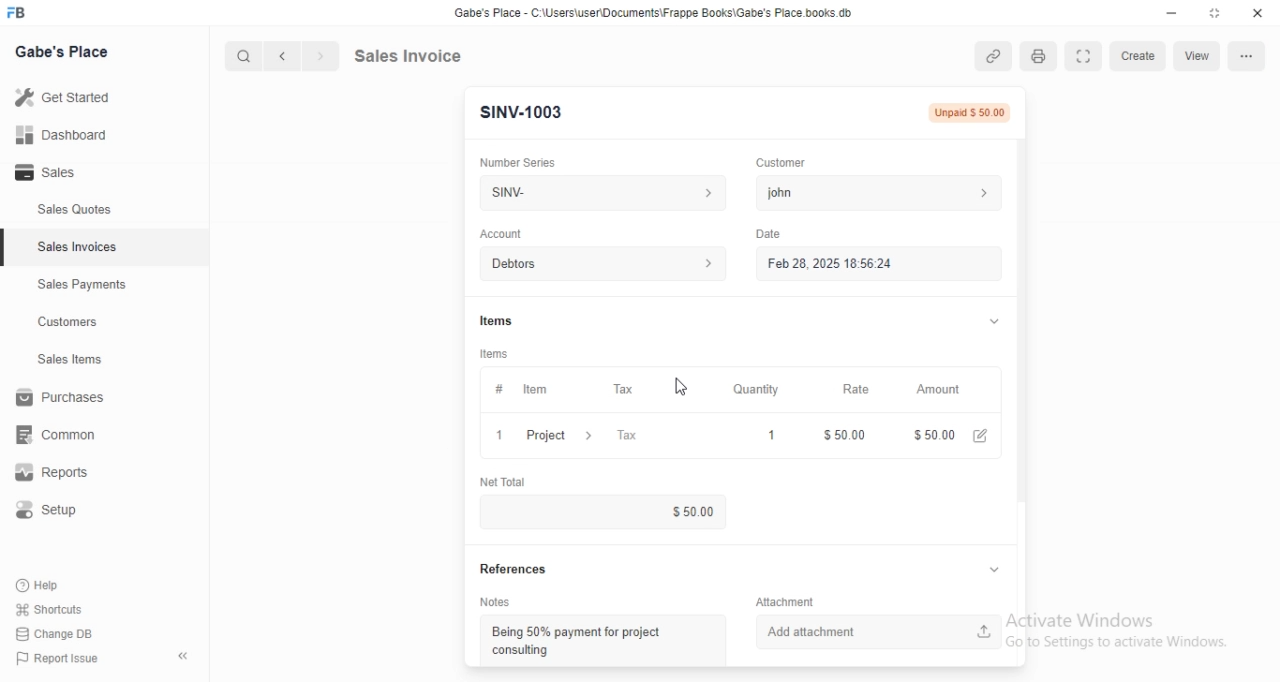 The width and height of the screenshot is (1280, 682). What do you see at coordinates (300, 56) in the screenshot?
I see `forward/backward` at bounding box center [300, 56].